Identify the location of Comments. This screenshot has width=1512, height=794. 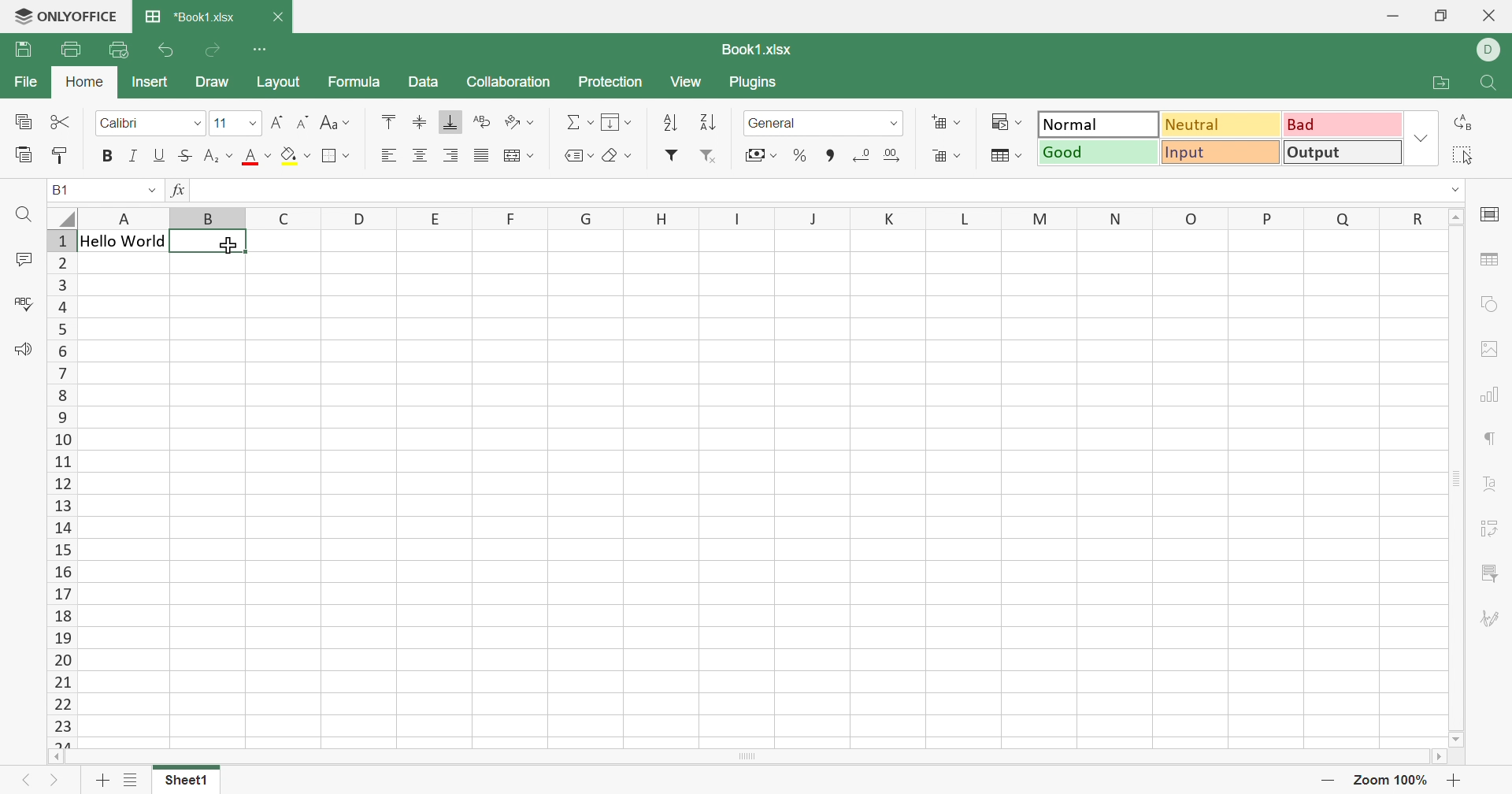
(24, 260).